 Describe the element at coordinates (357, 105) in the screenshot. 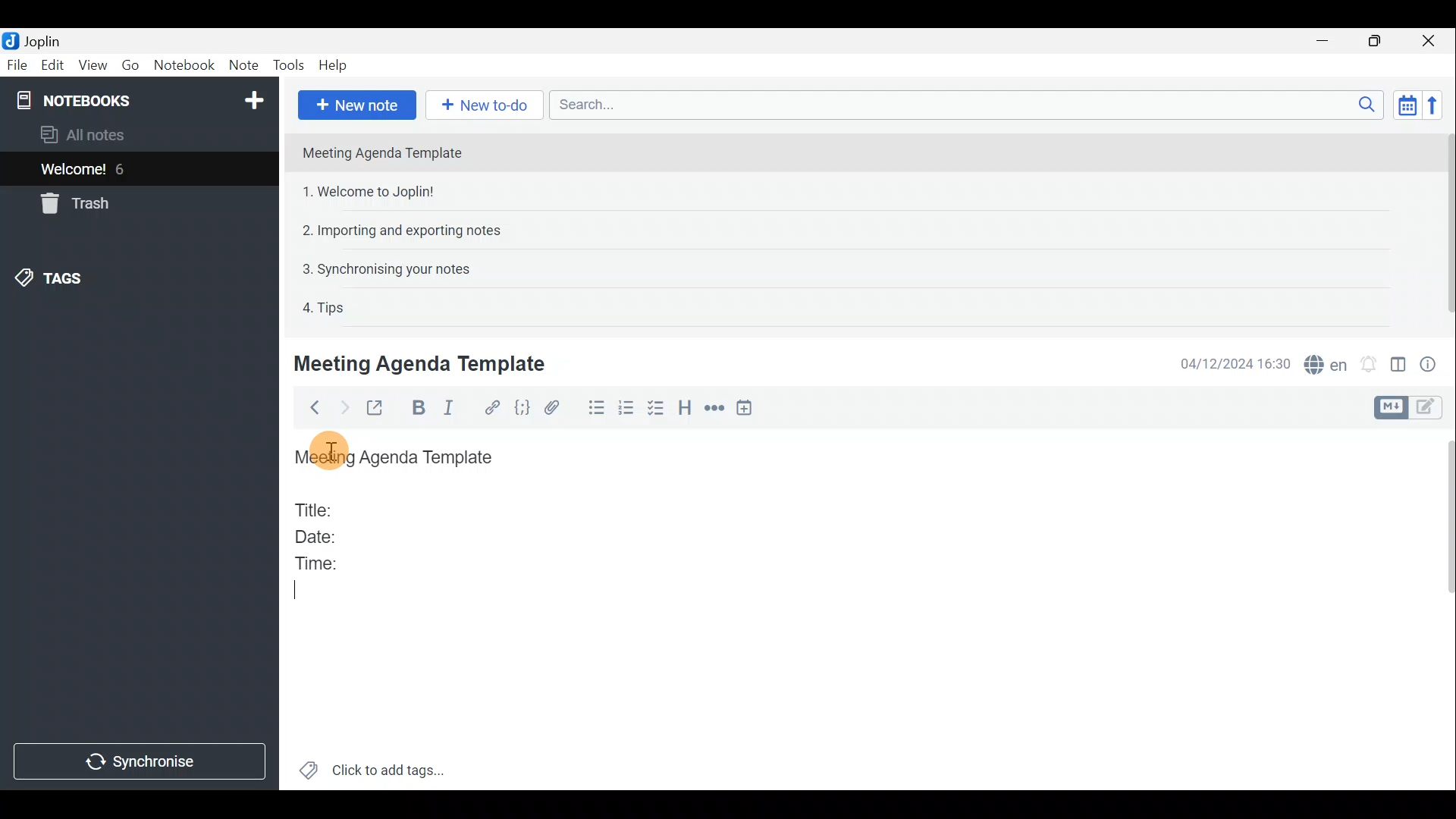

I see `New note` at that location.